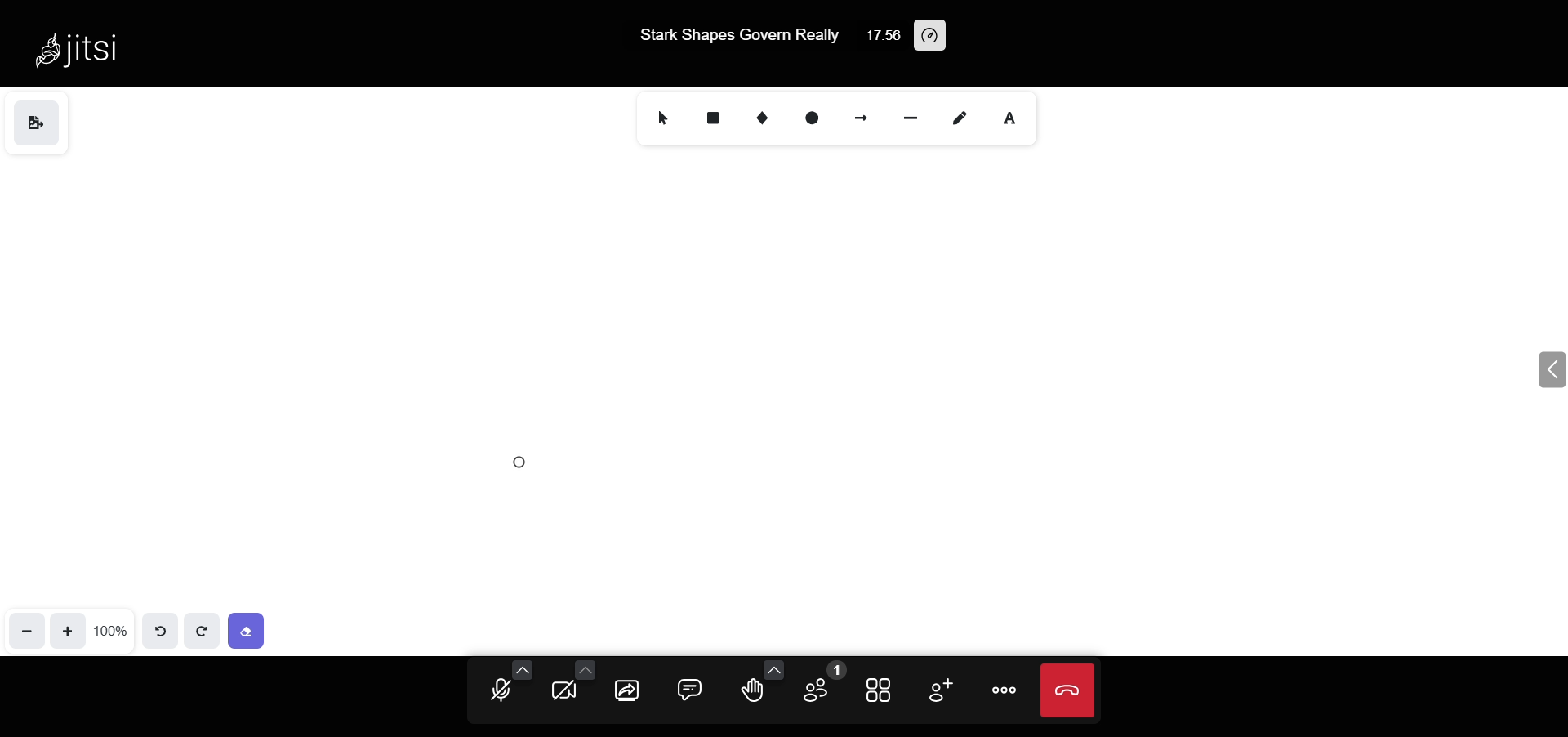 This screenshot has height=737, width=1568. I want to click on eraser, so click(246, 629).